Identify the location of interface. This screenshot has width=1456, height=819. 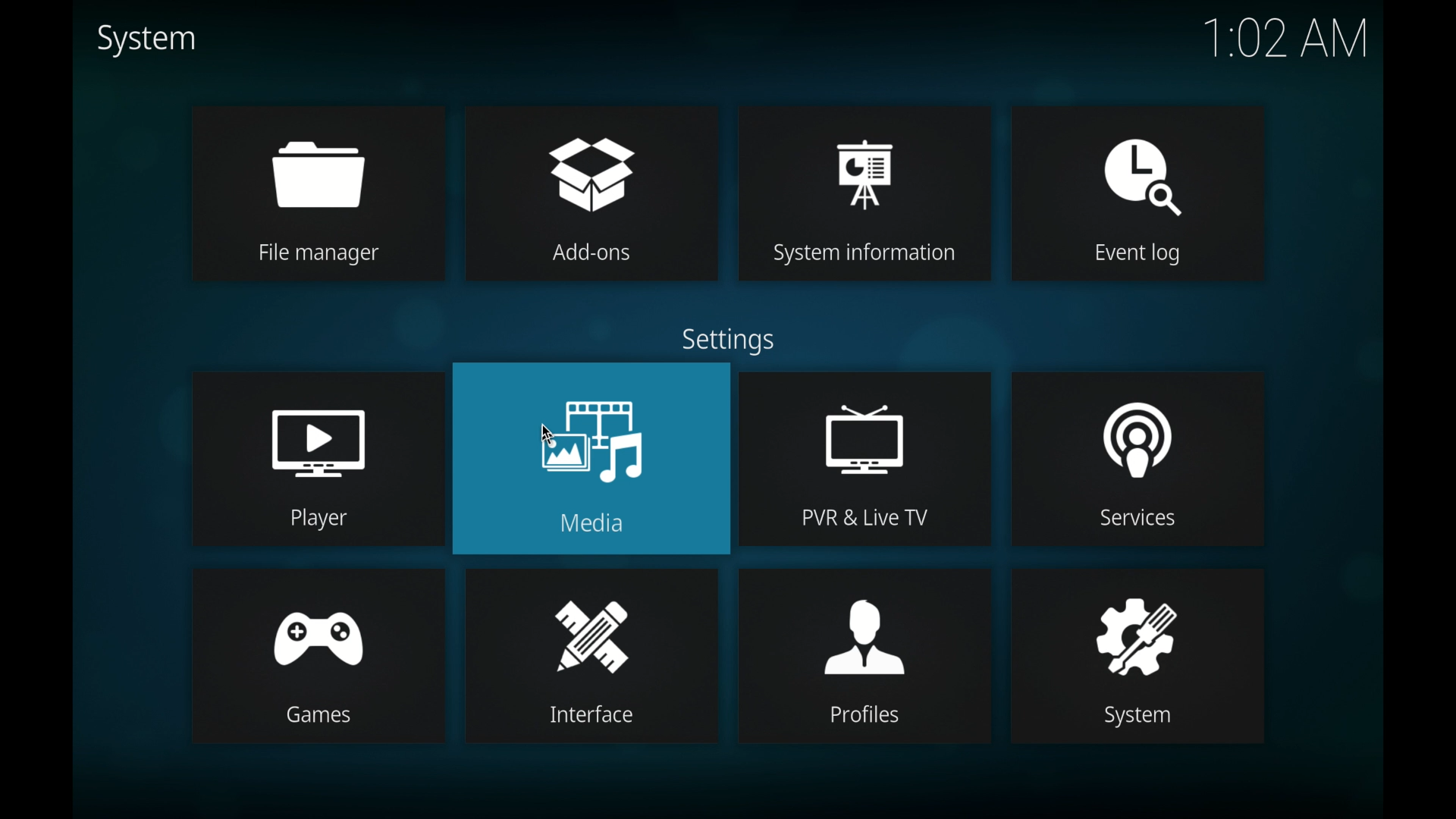
(592, 624).